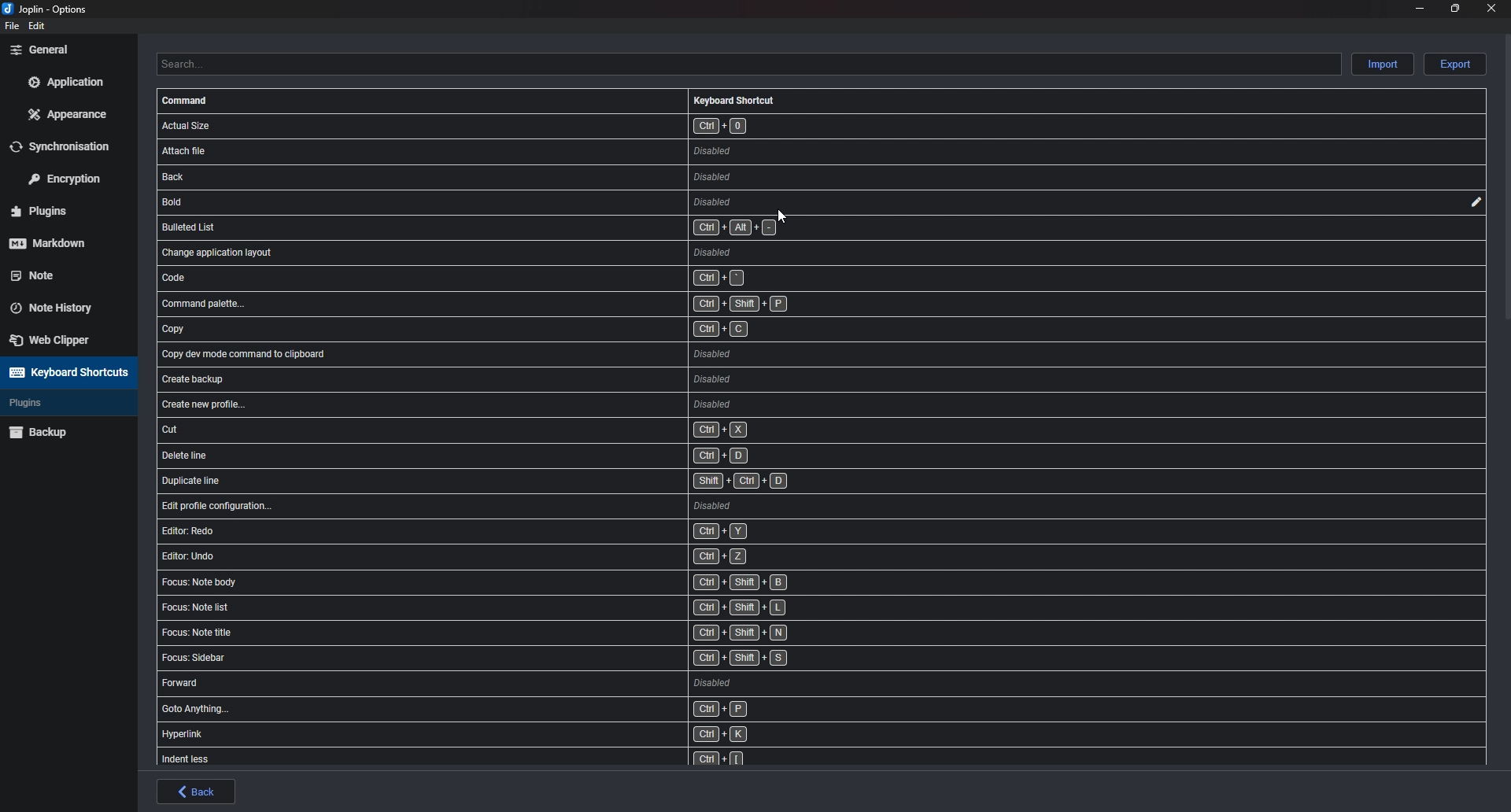 This screenshot has height=812, width=1511. Describe the element at coordinates (10, 26) in the screenshot. I see `file` at that location.